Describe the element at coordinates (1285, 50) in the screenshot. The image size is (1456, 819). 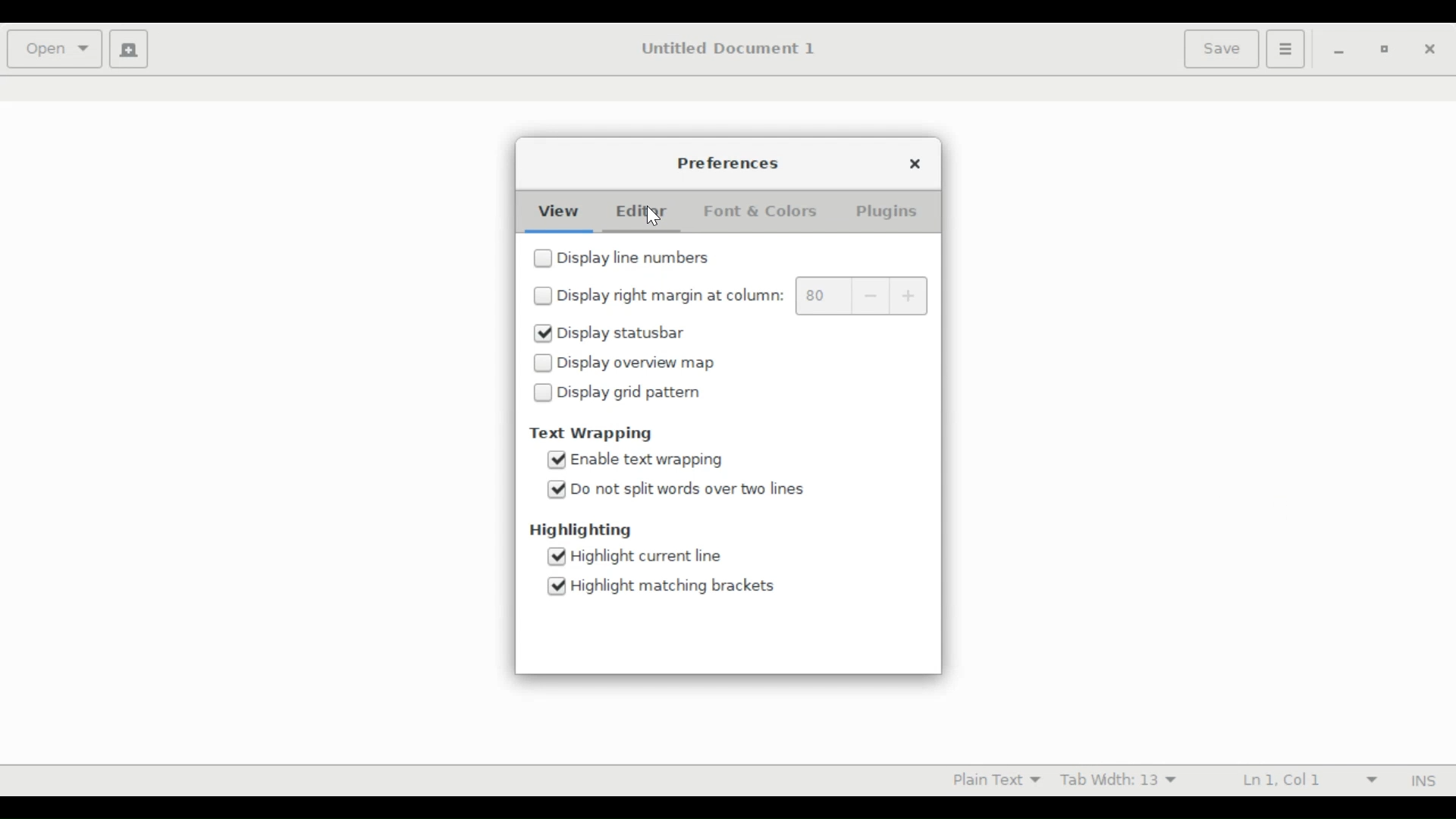
I see `Application menu` at that location.